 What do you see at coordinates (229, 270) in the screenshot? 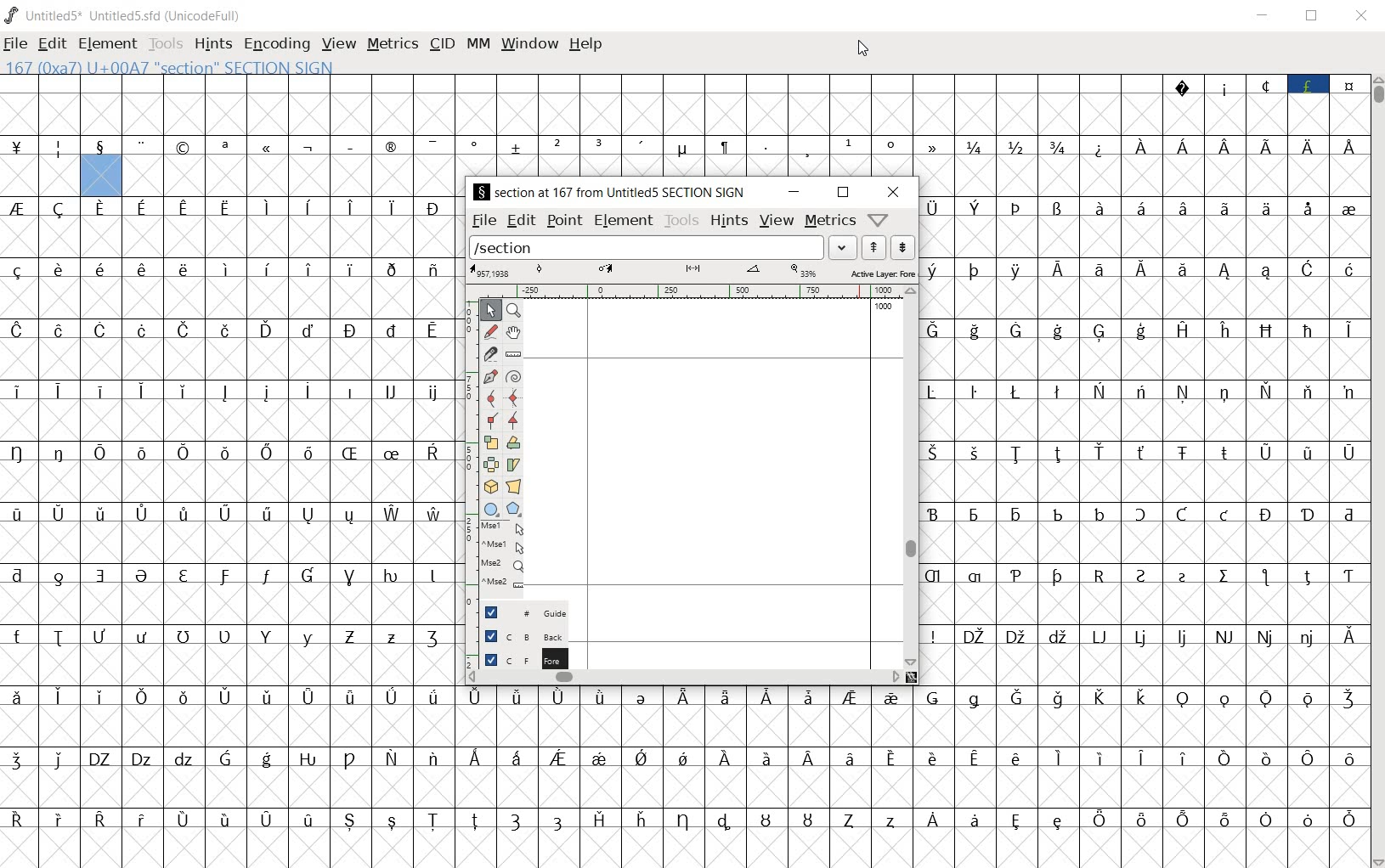
I see `special letters` at bounding box center [229, 270].